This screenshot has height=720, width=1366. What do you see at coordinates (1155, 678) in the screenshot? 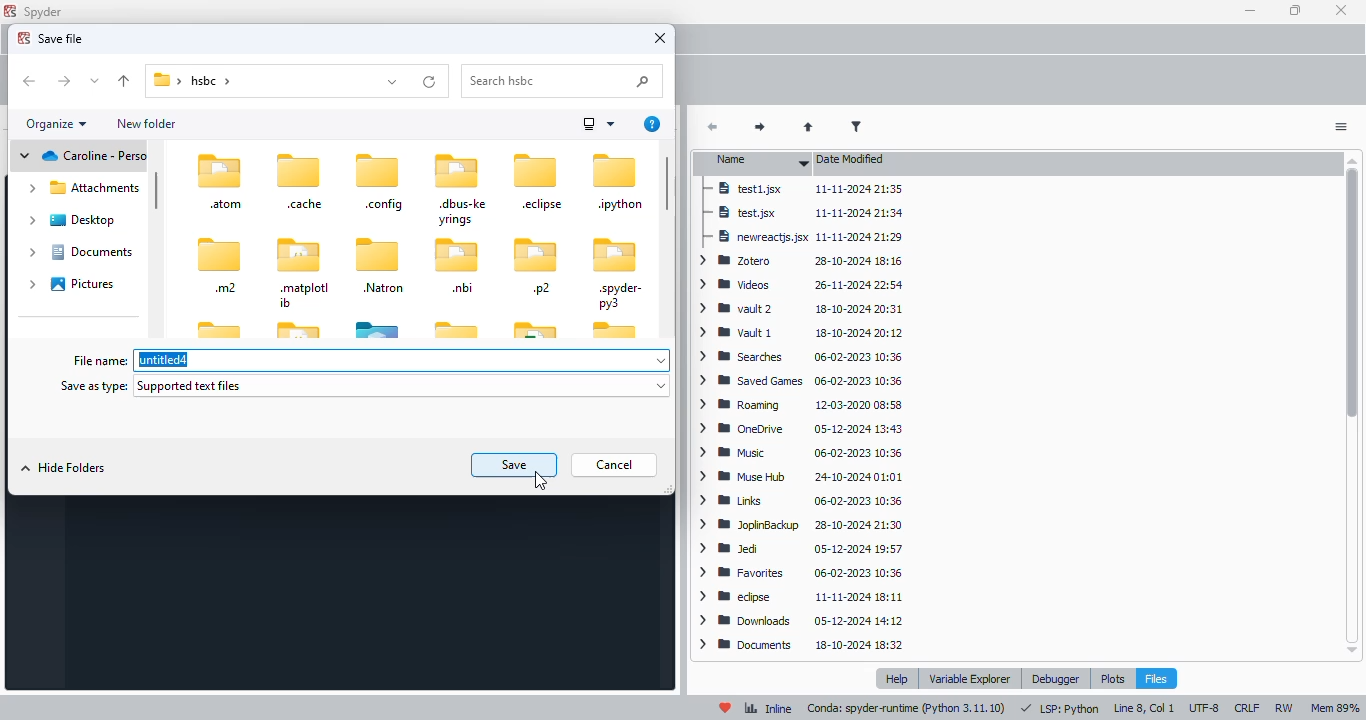
I see `files` at bounding box center [1155, 678].